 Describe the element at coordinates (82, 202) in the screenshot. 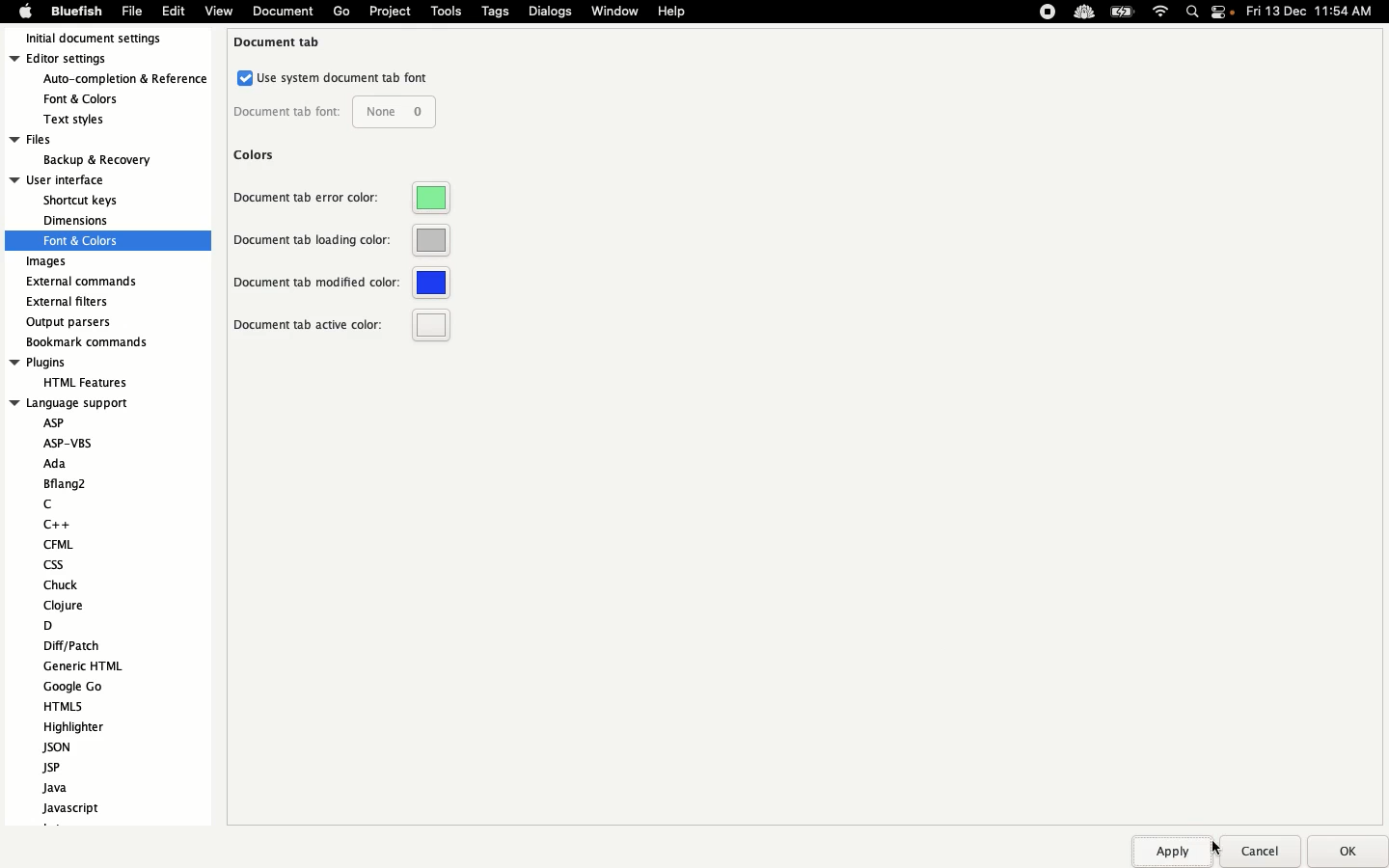

I see `shortcut keys` at that location.